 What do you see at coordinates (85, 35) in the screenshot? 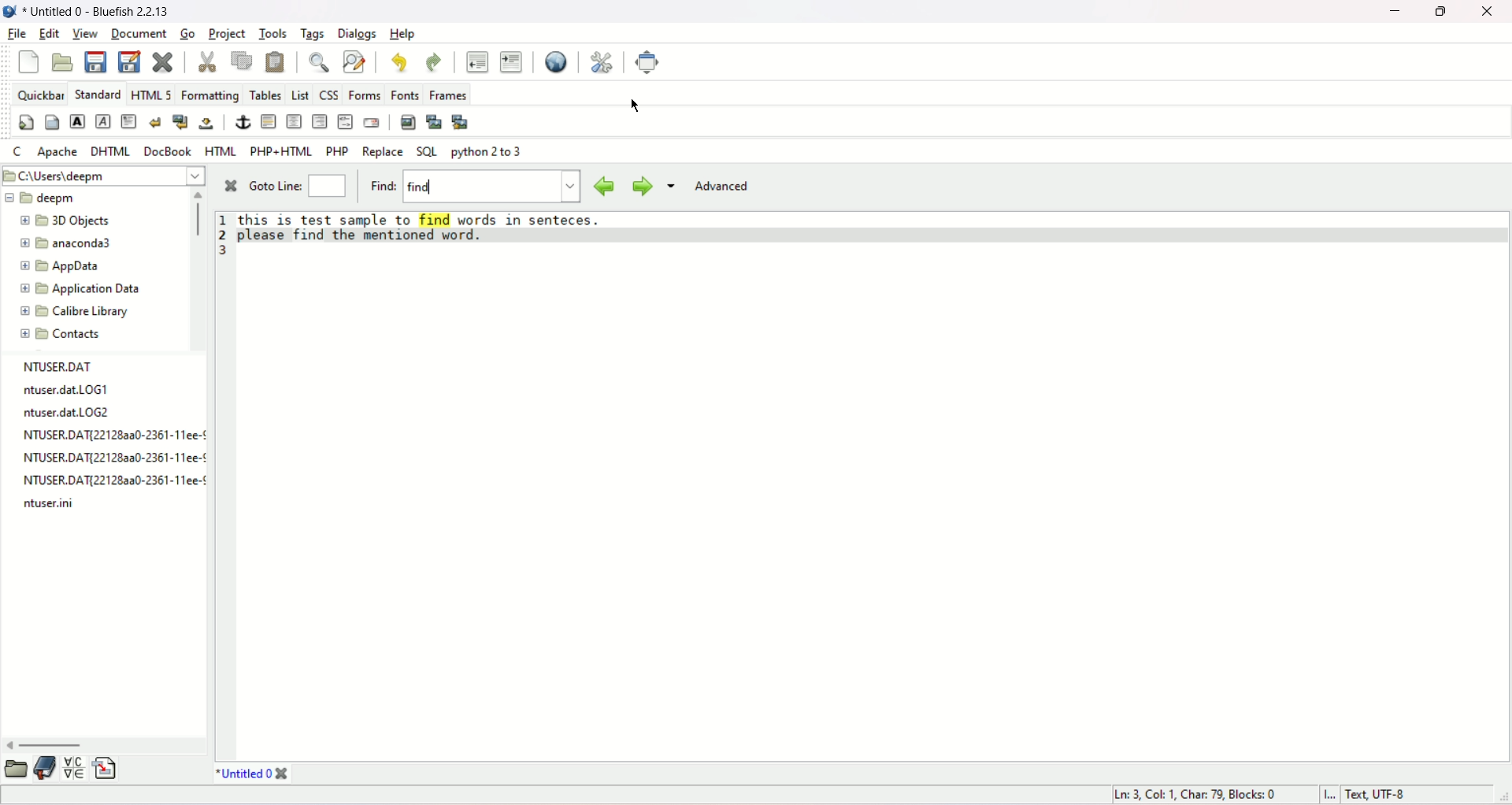
I see `view` at bounding box center [85, 35].